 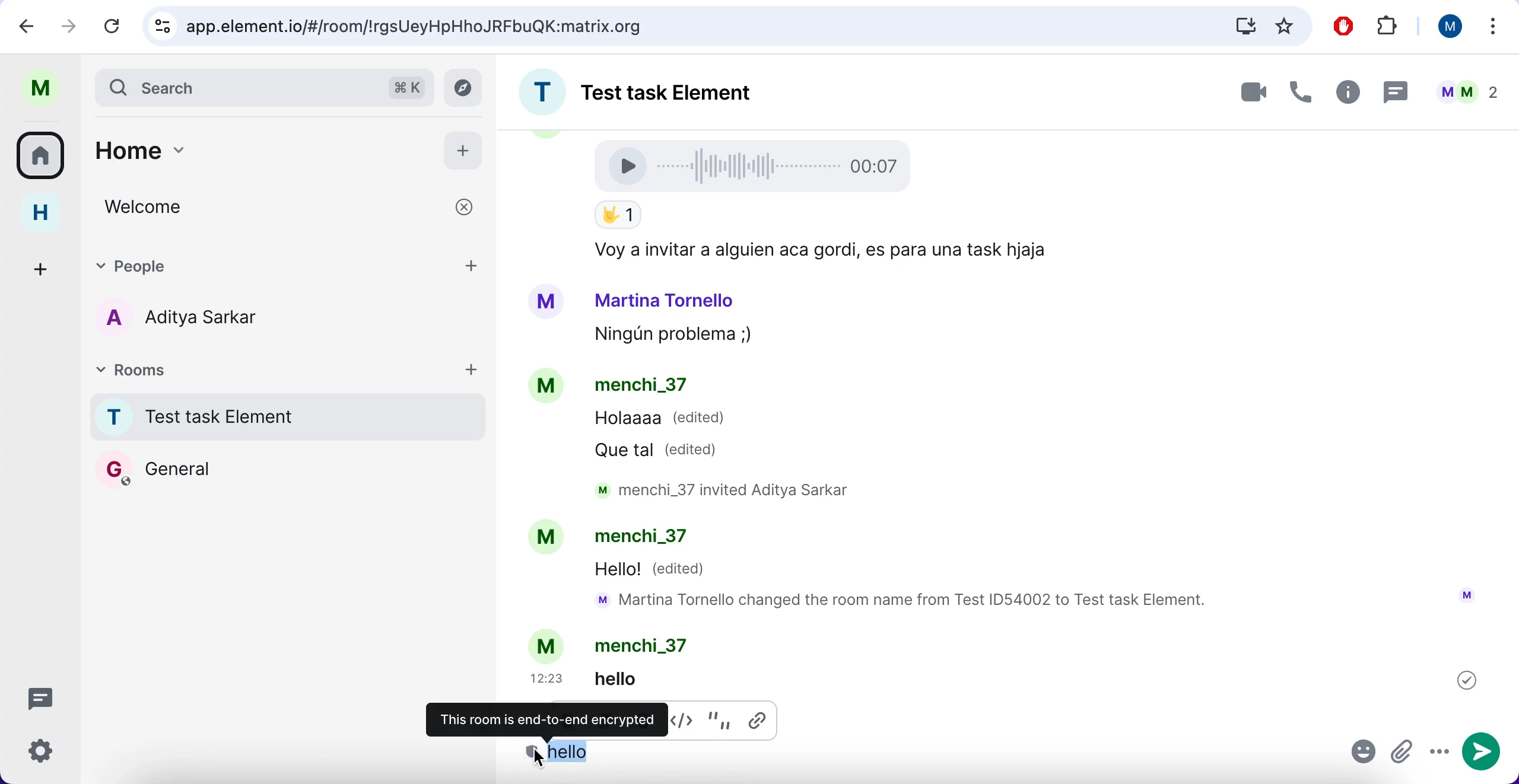 What do you see at coordinates (1394, 91) in the screenshot?
I see `thread` at bounding box center [1394, 91].